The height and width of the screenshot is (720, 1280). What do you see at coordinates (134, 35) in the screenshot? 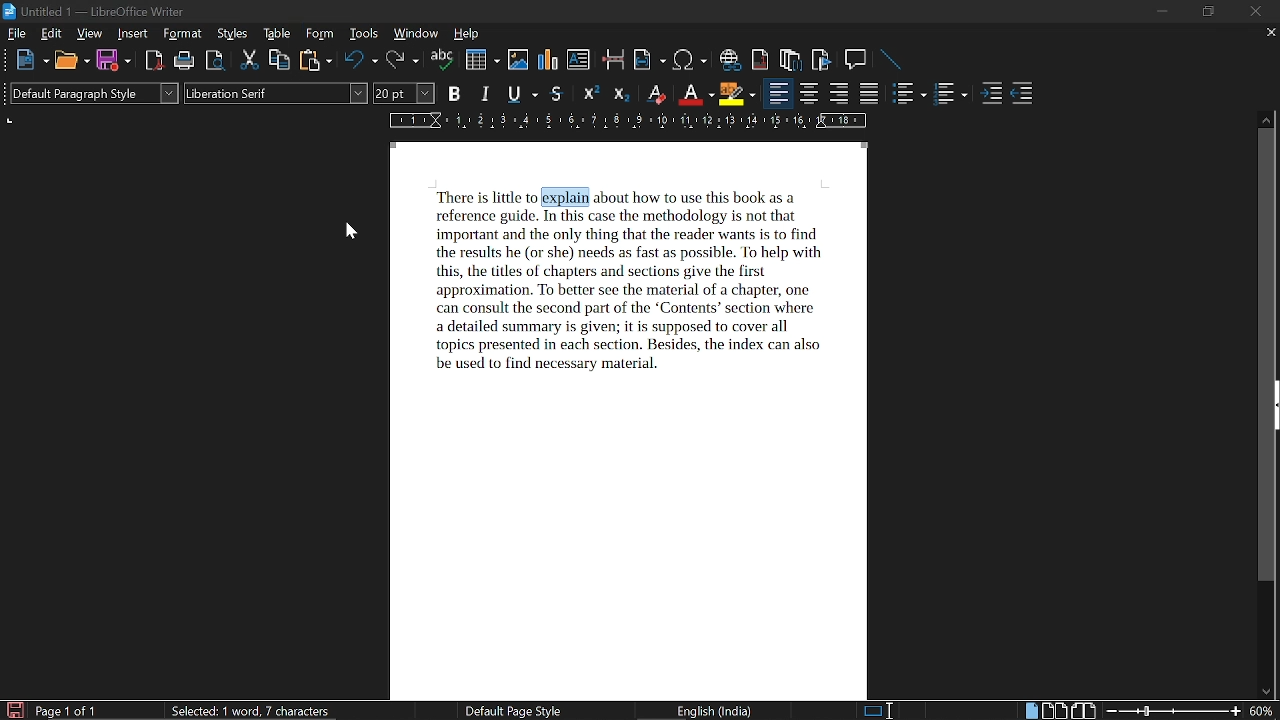
I see `insert` at bounding box center [134, 35].